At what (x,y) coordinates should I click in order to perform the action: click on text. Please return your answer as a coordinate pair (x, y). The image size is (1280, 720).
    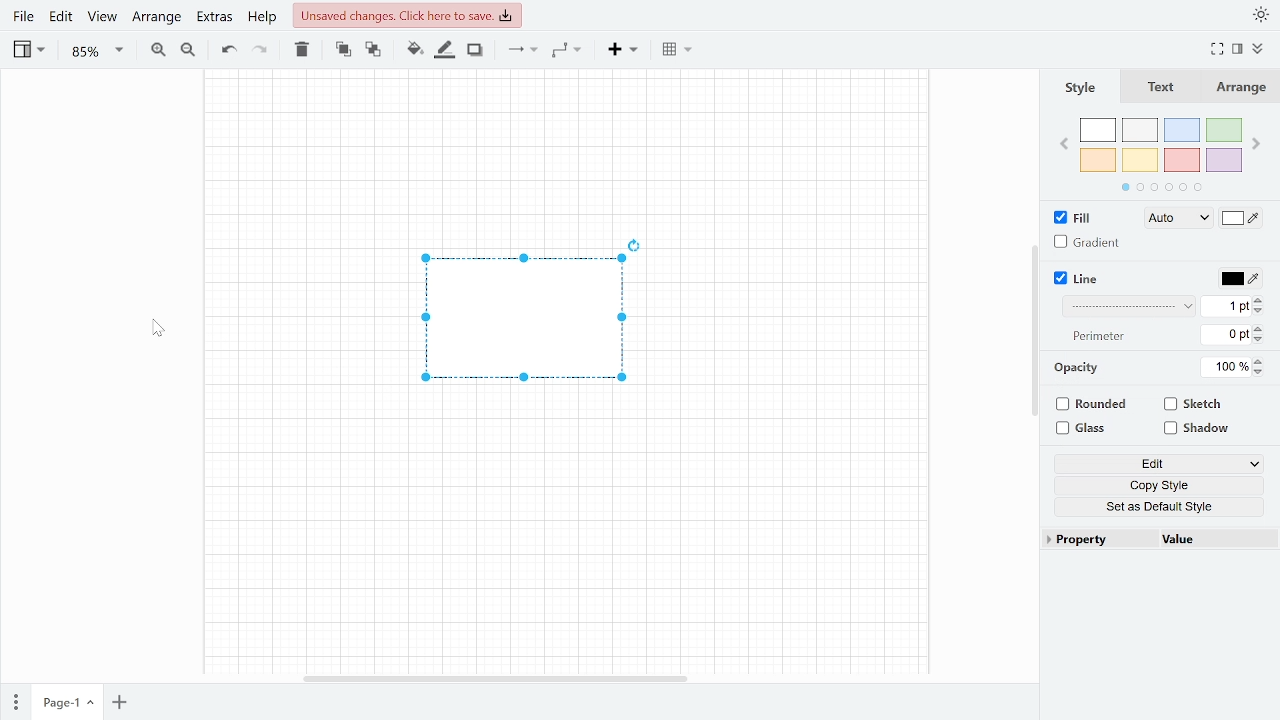
    Looking at the image, I should click on (1162, 87).